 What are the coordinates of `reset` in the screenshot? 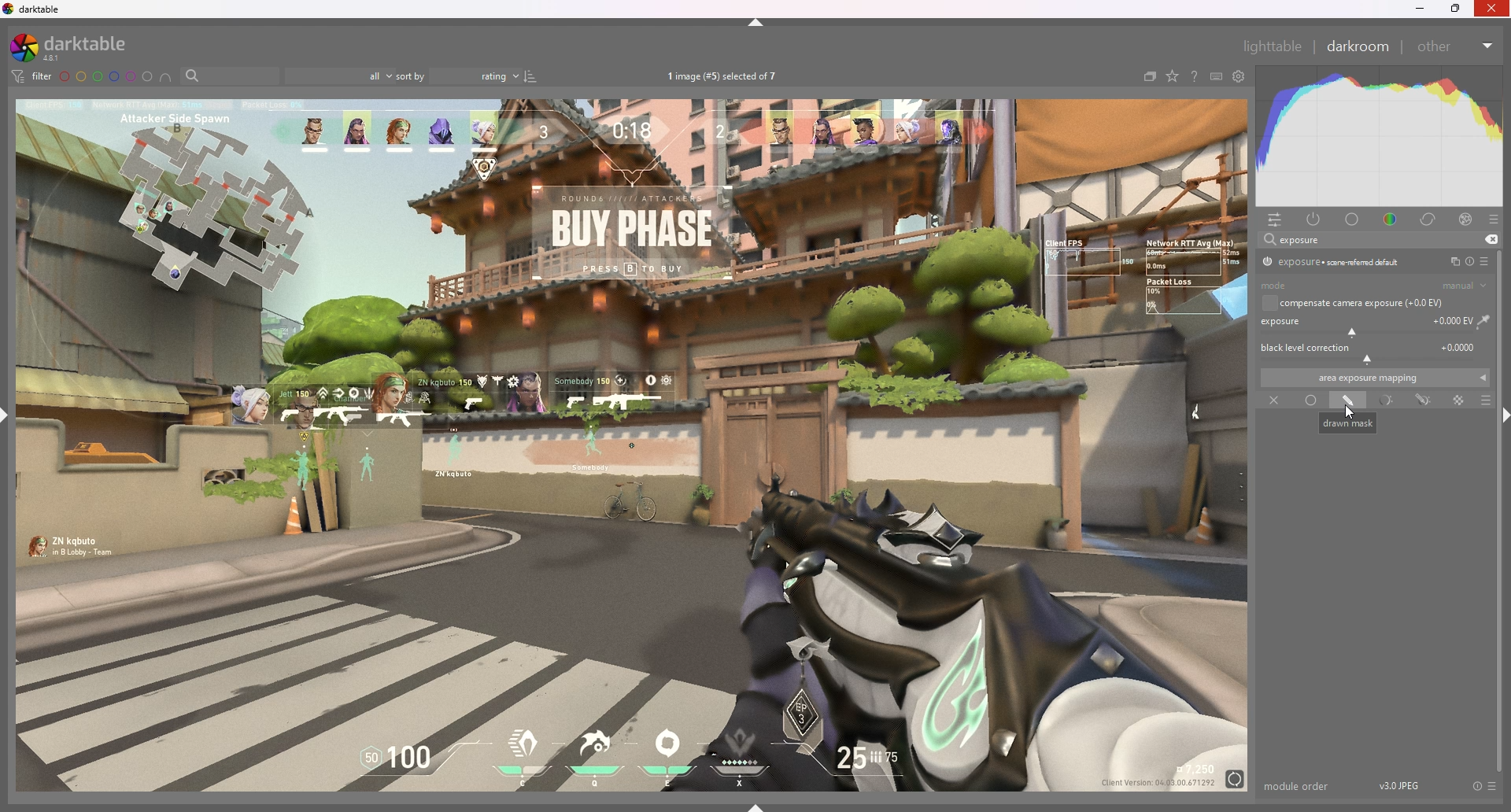 It's located at (1469, 261).